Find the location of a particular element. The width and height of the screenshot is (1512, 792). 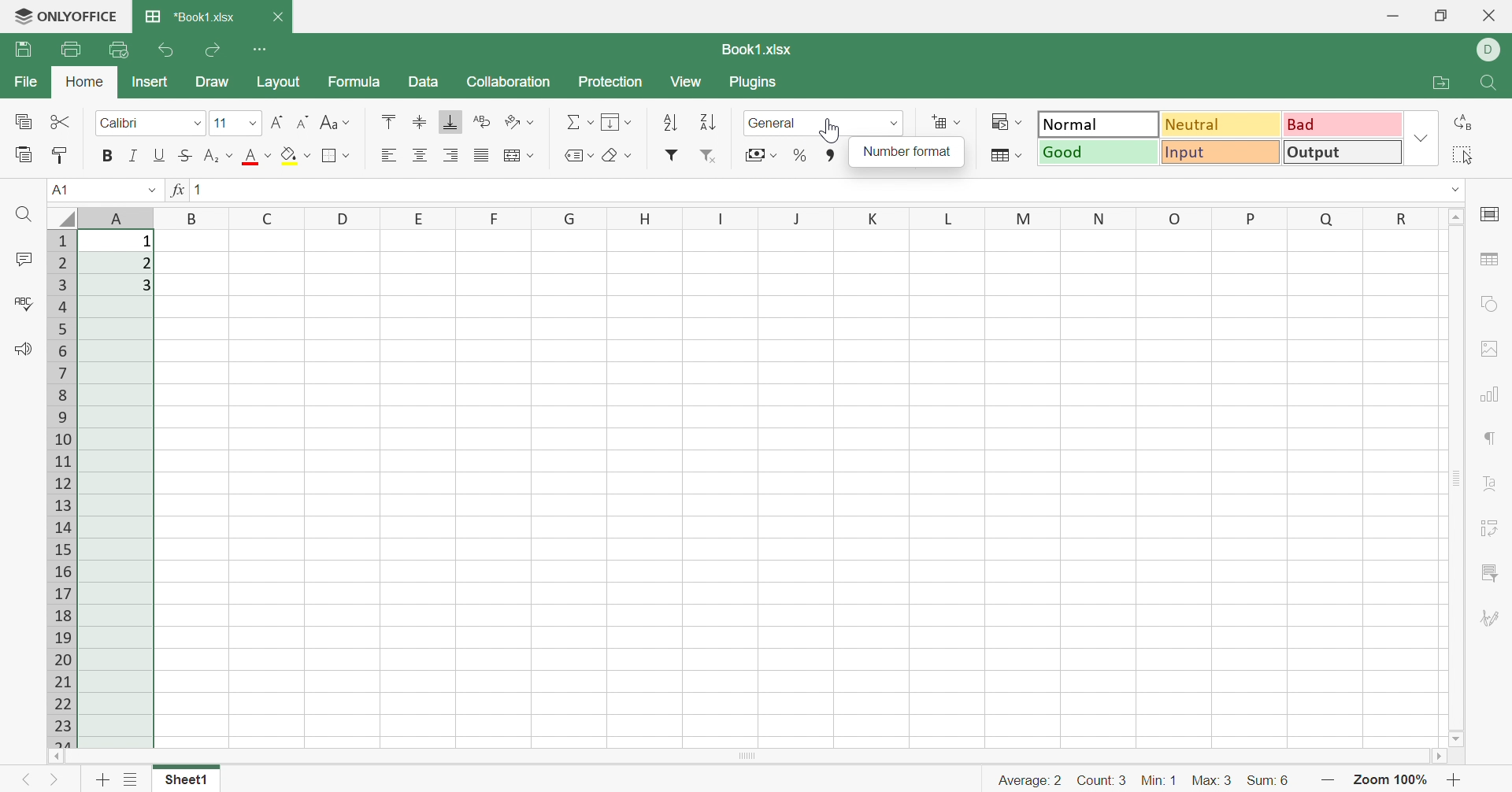

Percent style is located at coordinates (798, 156).